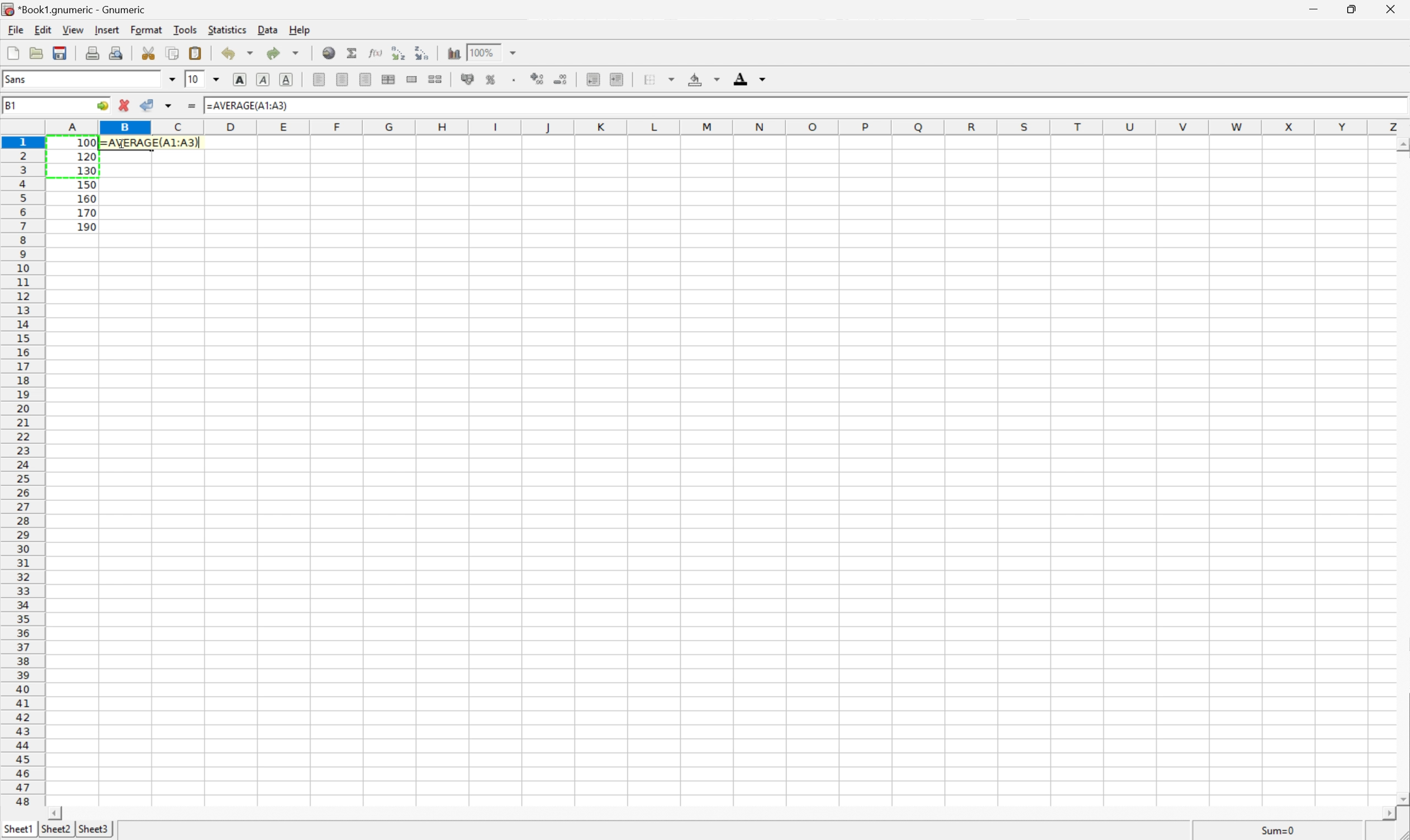 This screenshot has width=1410, height=840. What do you see at coordinates (96, 830) in the screenshot?
I see `Sheet3` at bounding box center [96, 830].